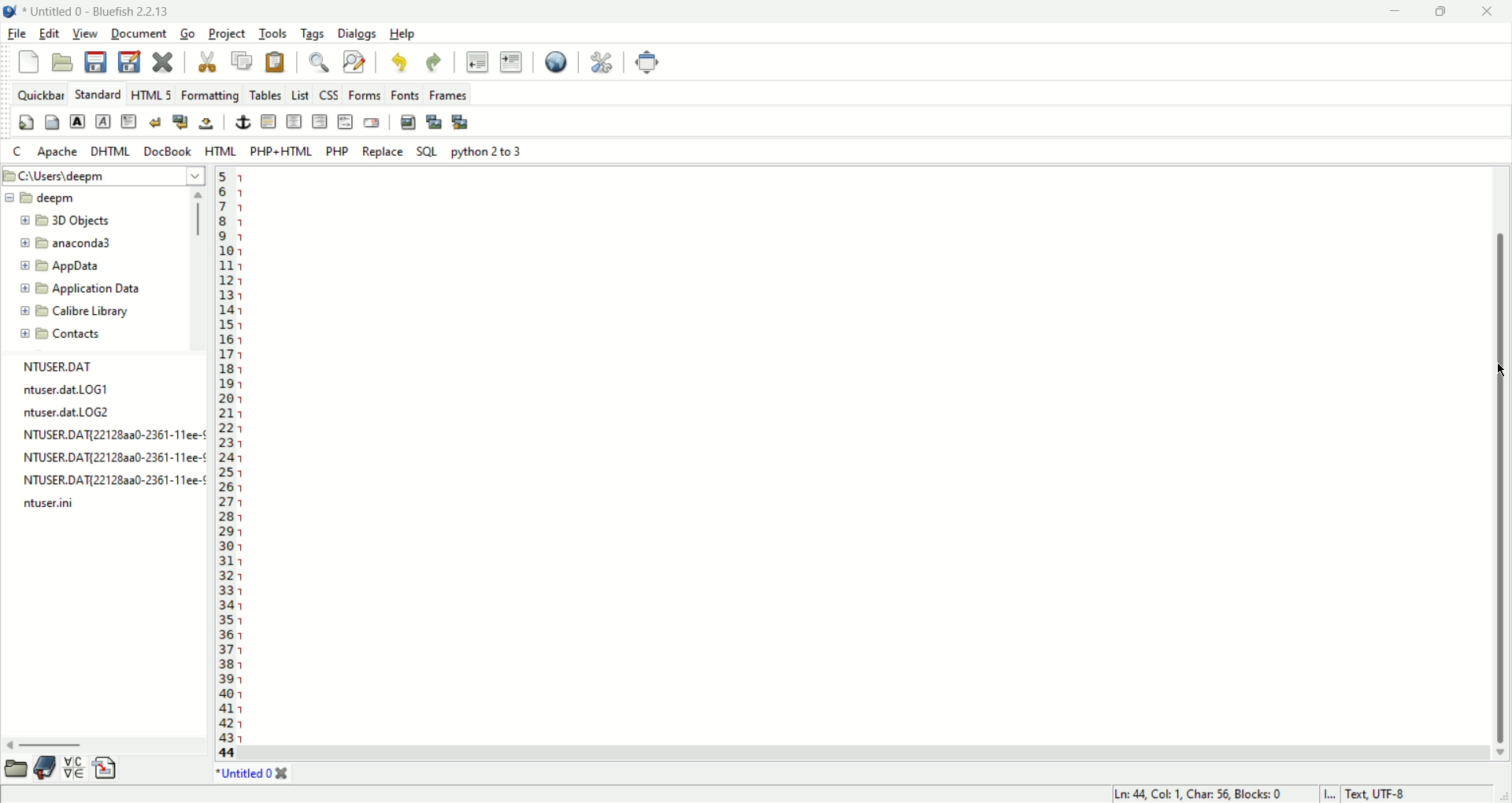 The height and width of the screenshot is (803, 1512). What do you see at coordinates (340, 150) in the screenshot?
I see `PHP` at bounding box center [340, 150].